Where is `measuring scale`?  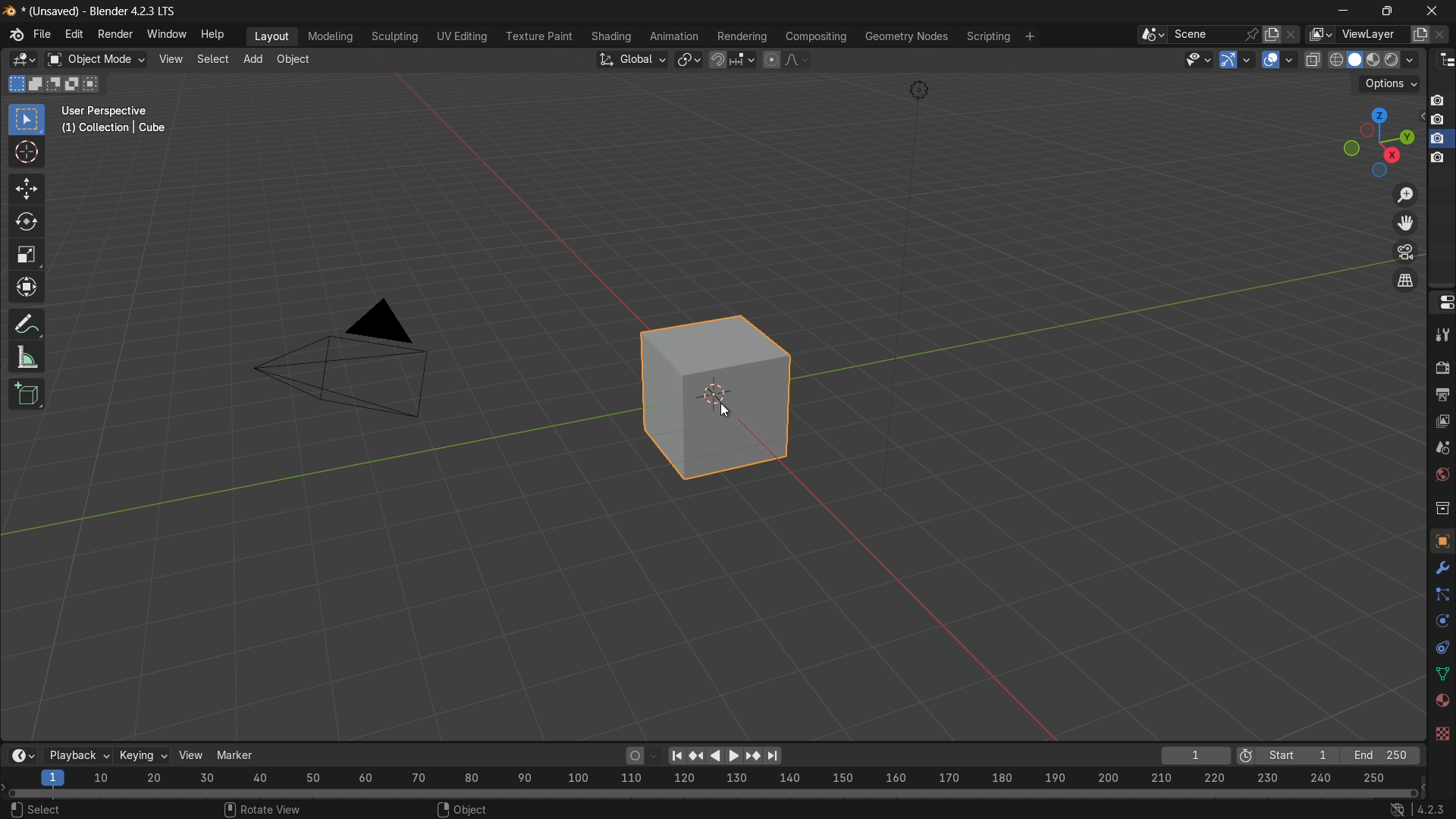 measuring scale is located at coordinates (707, 780).